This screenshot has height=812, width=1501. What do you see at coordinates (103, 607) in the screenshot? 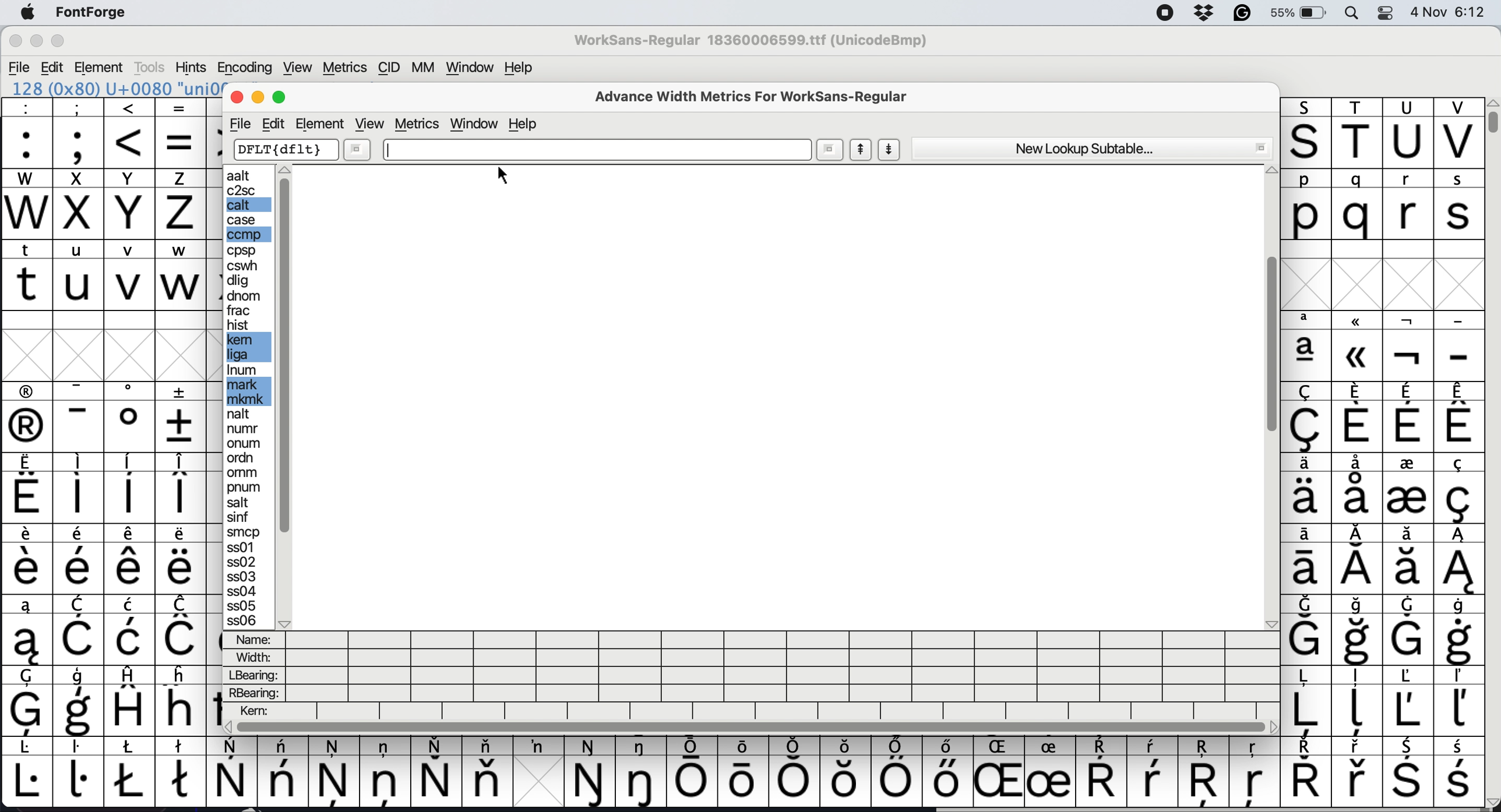
I see `special characters` at bounding box center [103, 607].